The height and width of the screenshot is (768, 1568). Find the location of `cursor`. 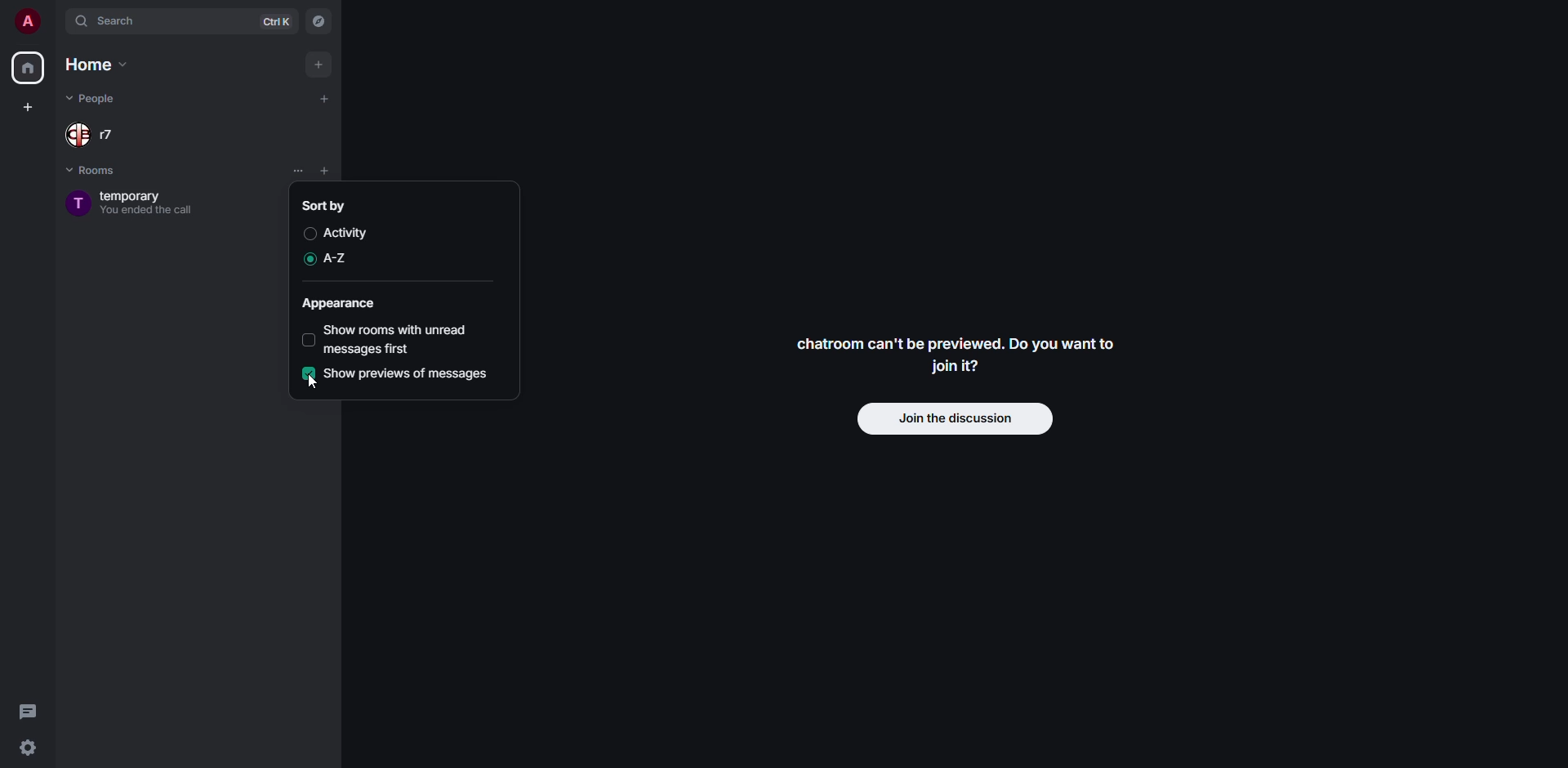

cursor is located at coordinates (317, 384).